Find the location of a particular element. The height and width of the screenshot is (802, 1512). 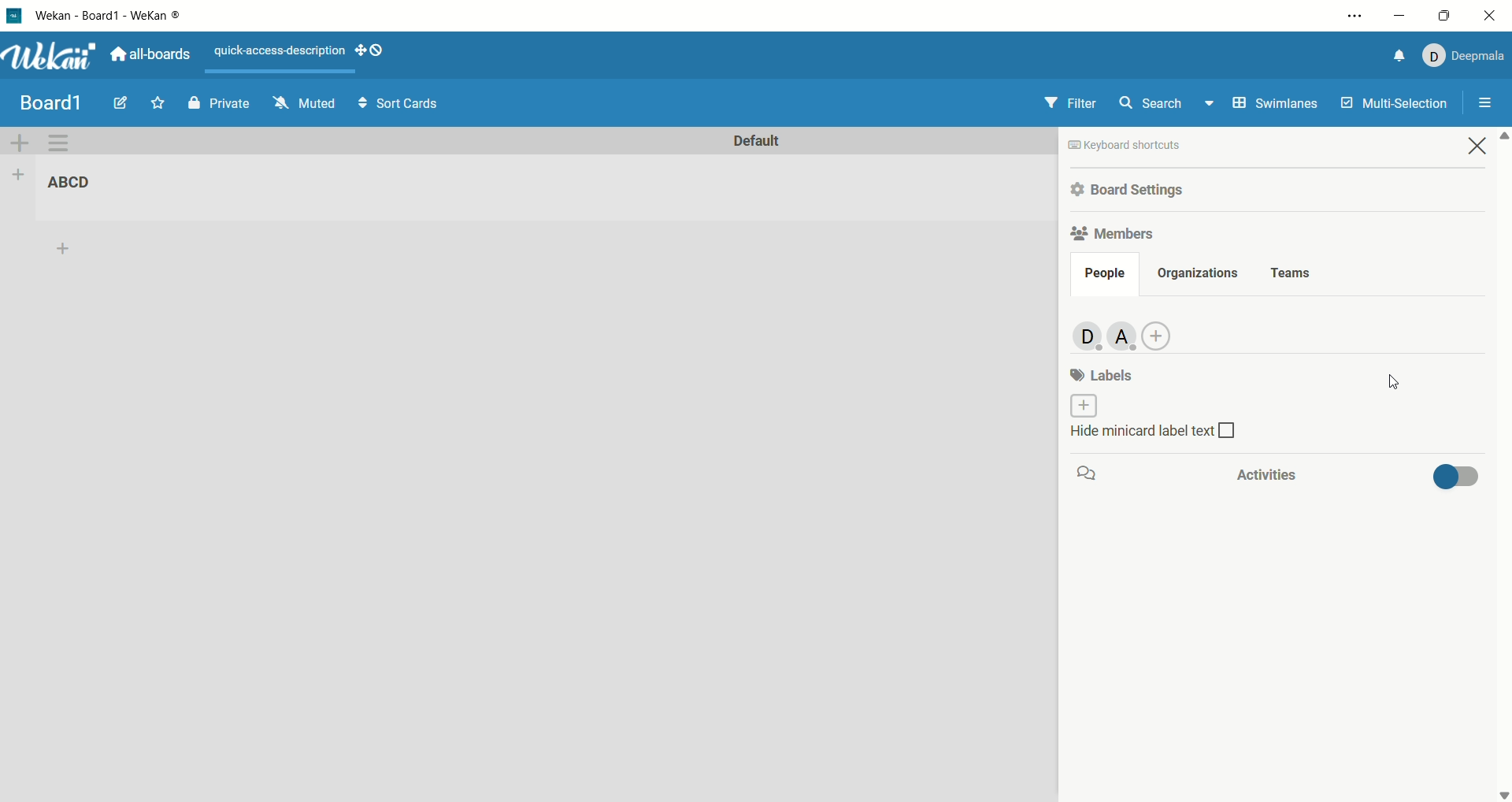

add is located at coordinates (1088, 404).